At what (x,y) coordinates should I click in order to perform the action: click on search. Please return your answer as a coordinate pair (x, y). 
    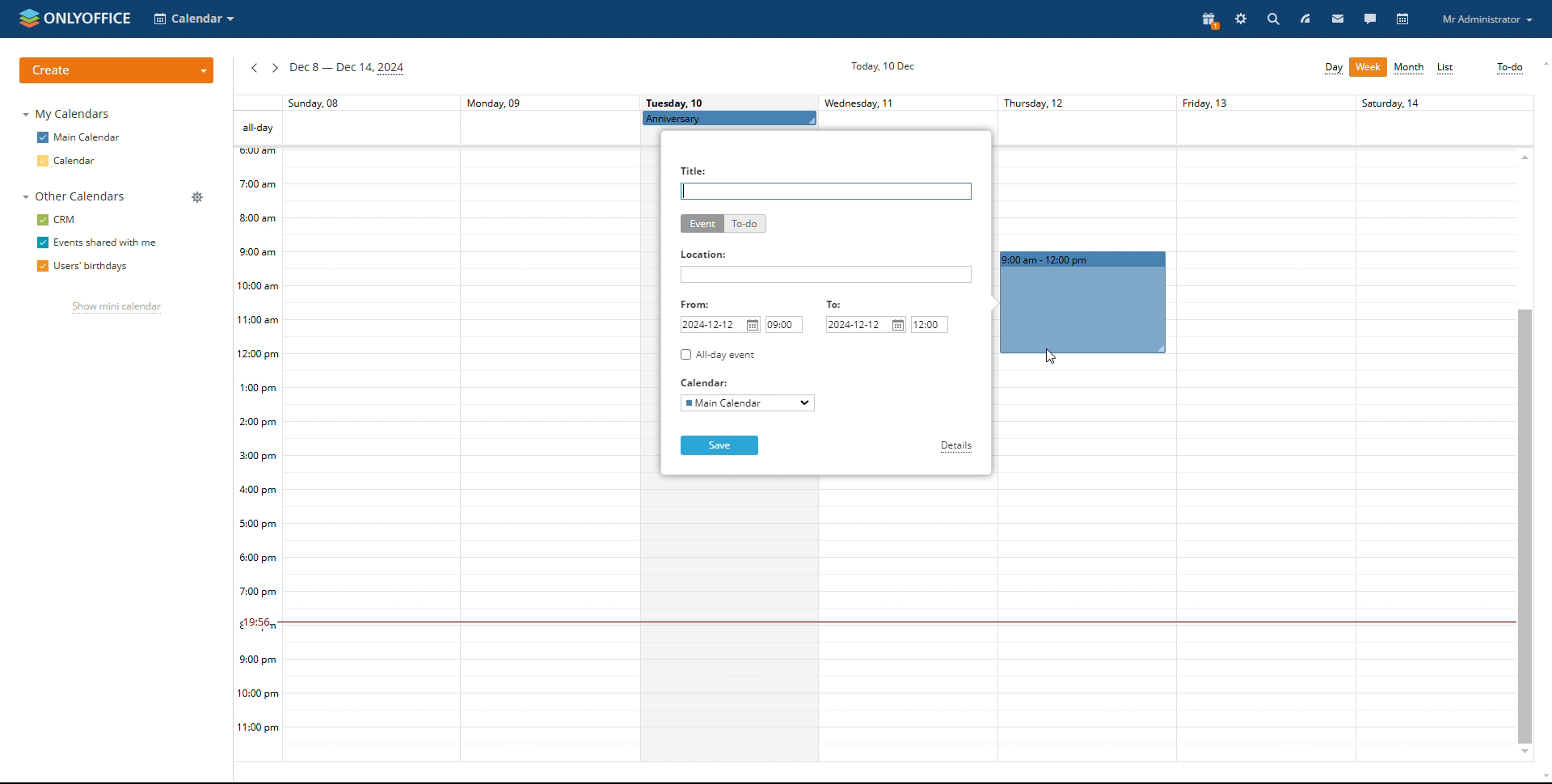
    Looking at the image, I should click on (1272, 19).